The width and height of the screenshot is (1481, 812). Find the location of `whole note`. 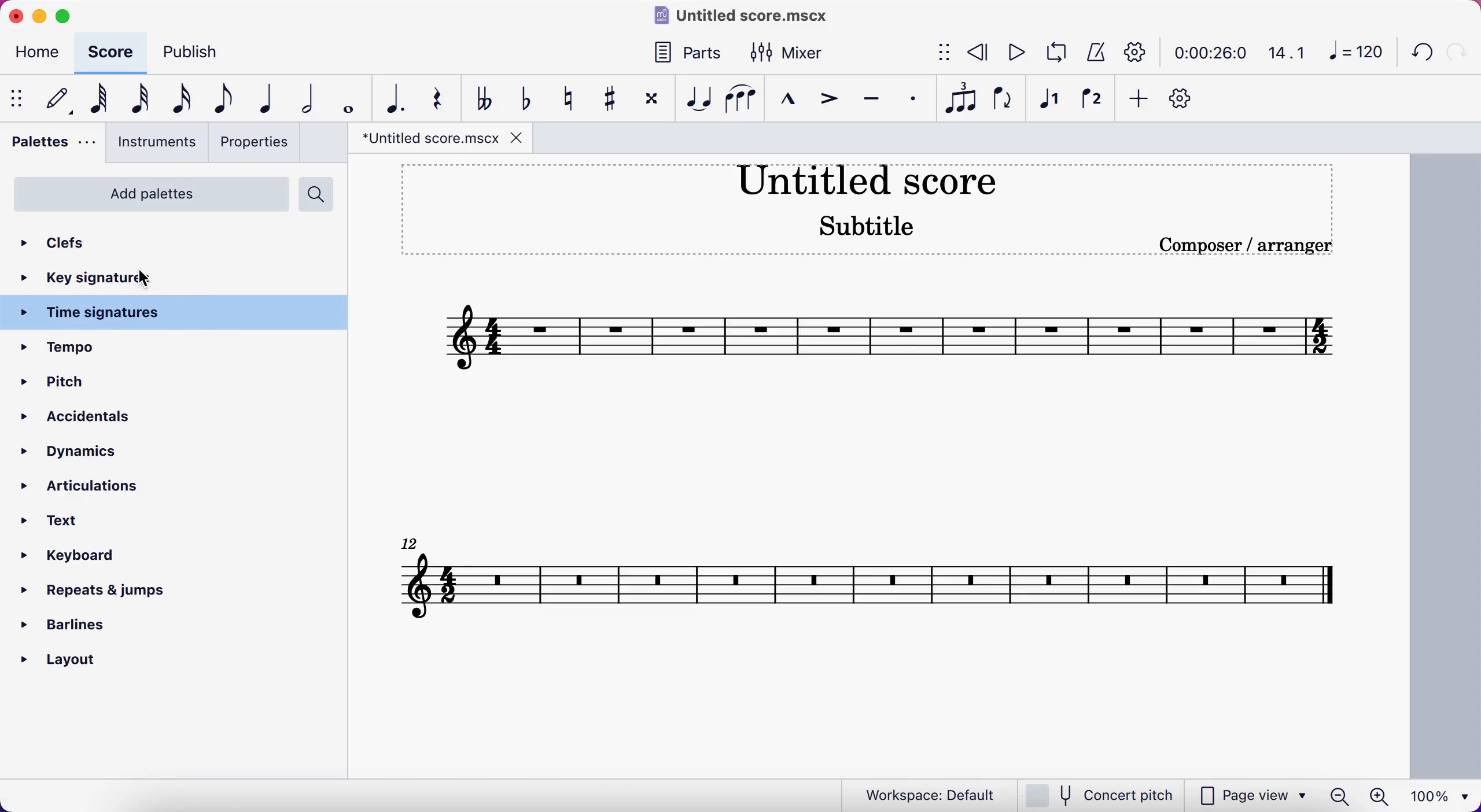

whole note is located at coordinates (350, 95).